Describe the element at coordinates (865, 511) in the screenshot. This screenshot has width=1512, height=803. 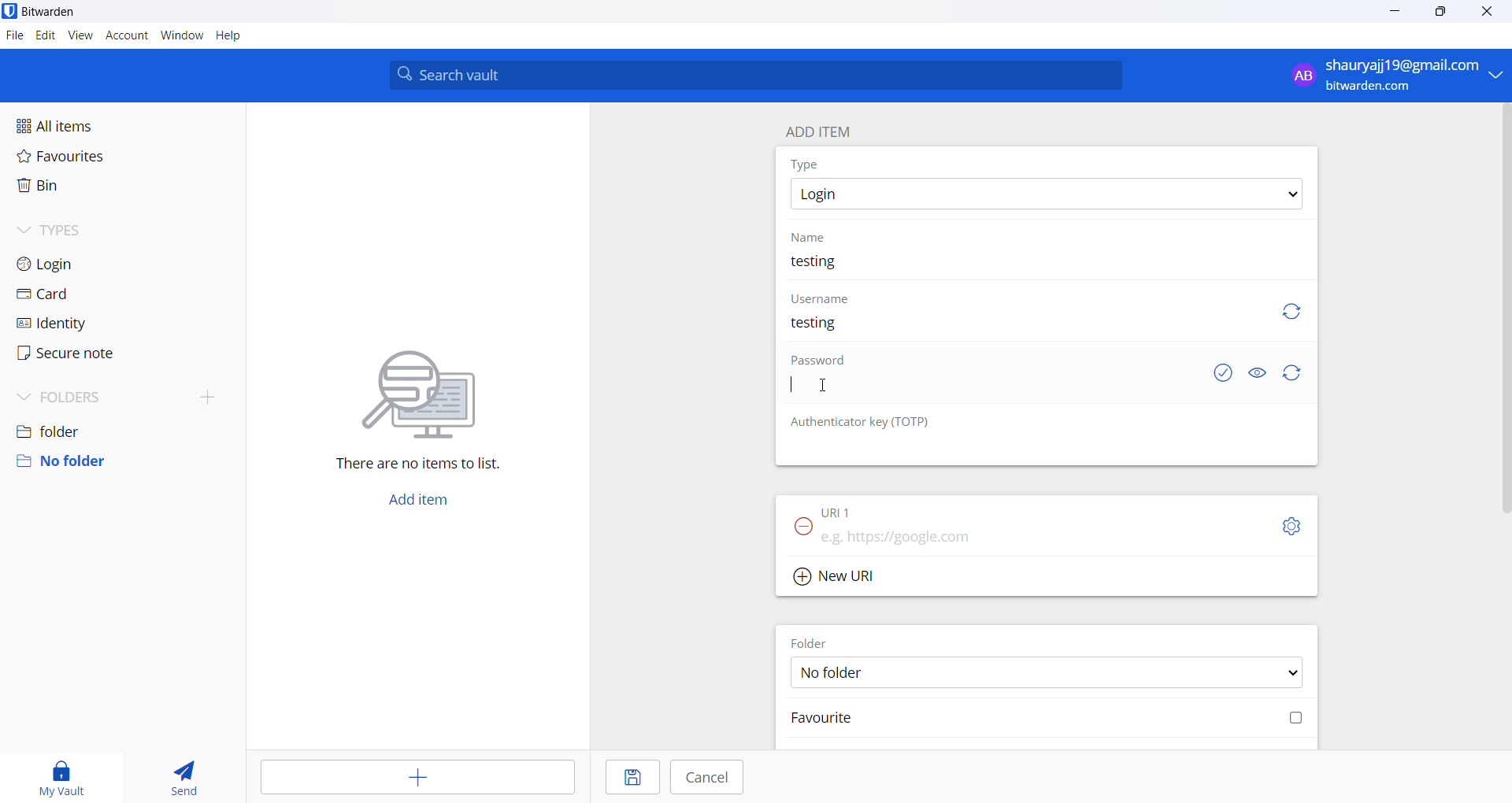
I see `URL 1` at that location.